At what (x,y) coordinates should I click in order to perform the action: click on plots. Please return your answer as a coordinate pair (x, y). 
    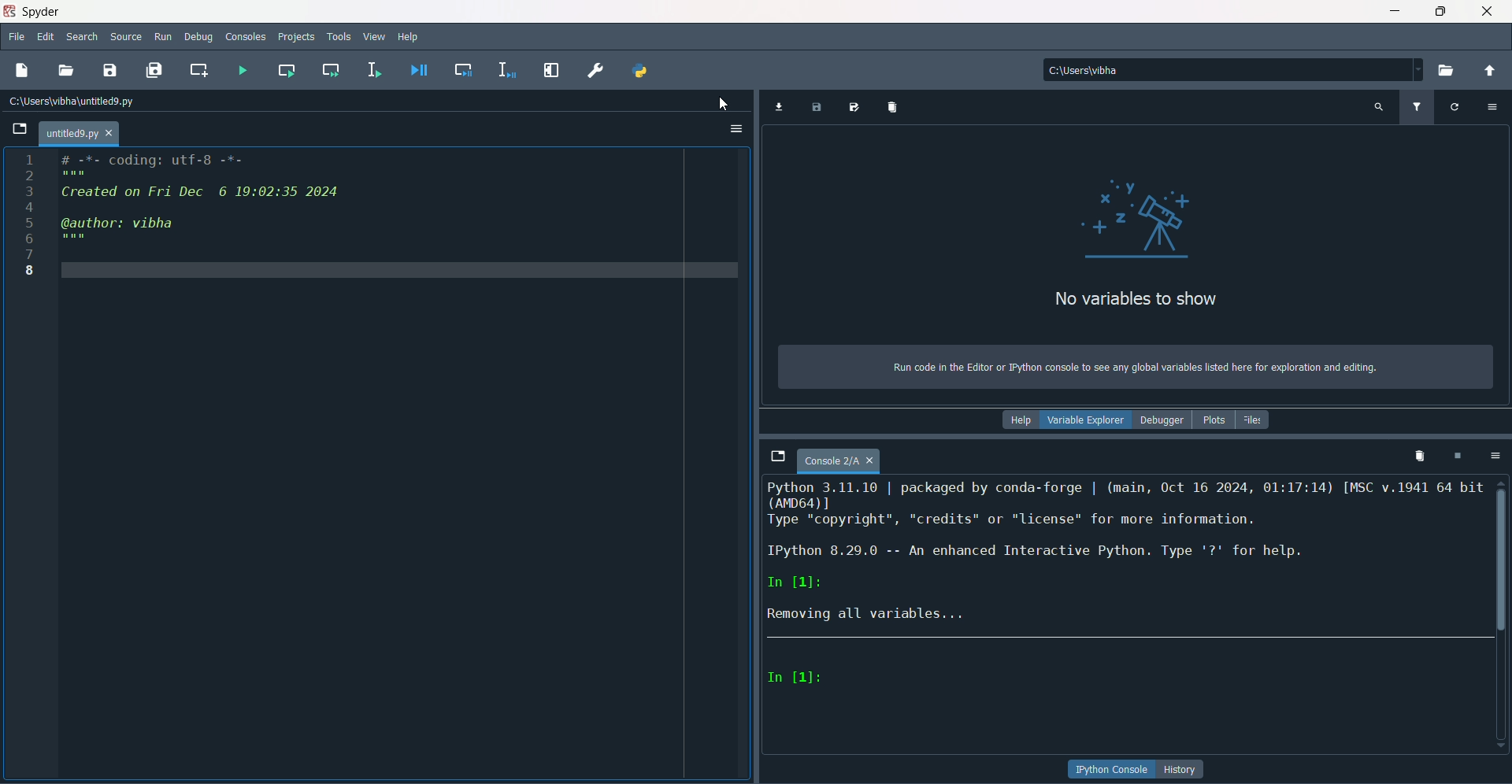
    Looking at the image, I should click on (1212, 420).